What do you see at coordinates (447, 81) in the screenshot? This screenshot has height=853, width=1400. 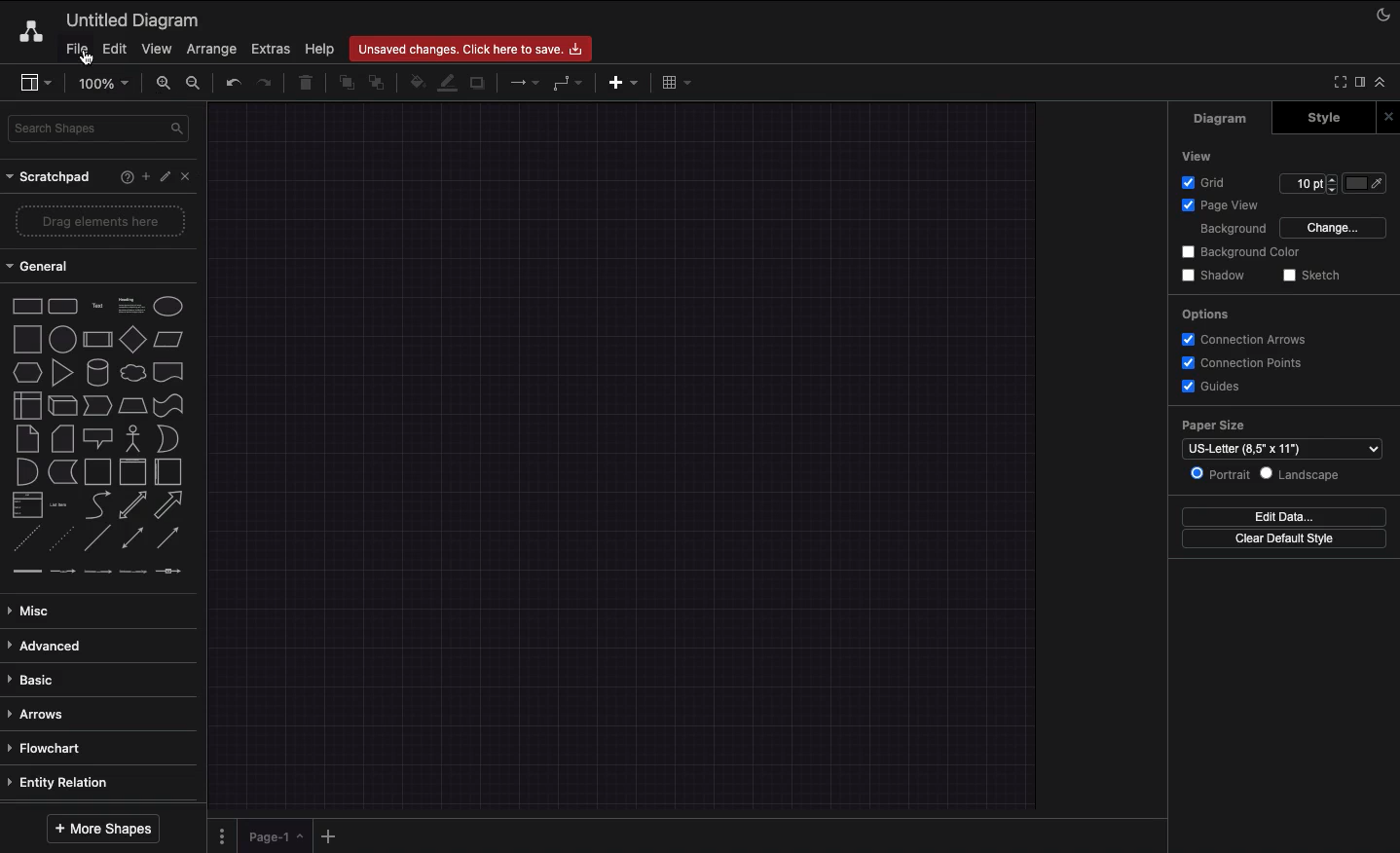 I see `Line color` at bounding box center [447, 81].